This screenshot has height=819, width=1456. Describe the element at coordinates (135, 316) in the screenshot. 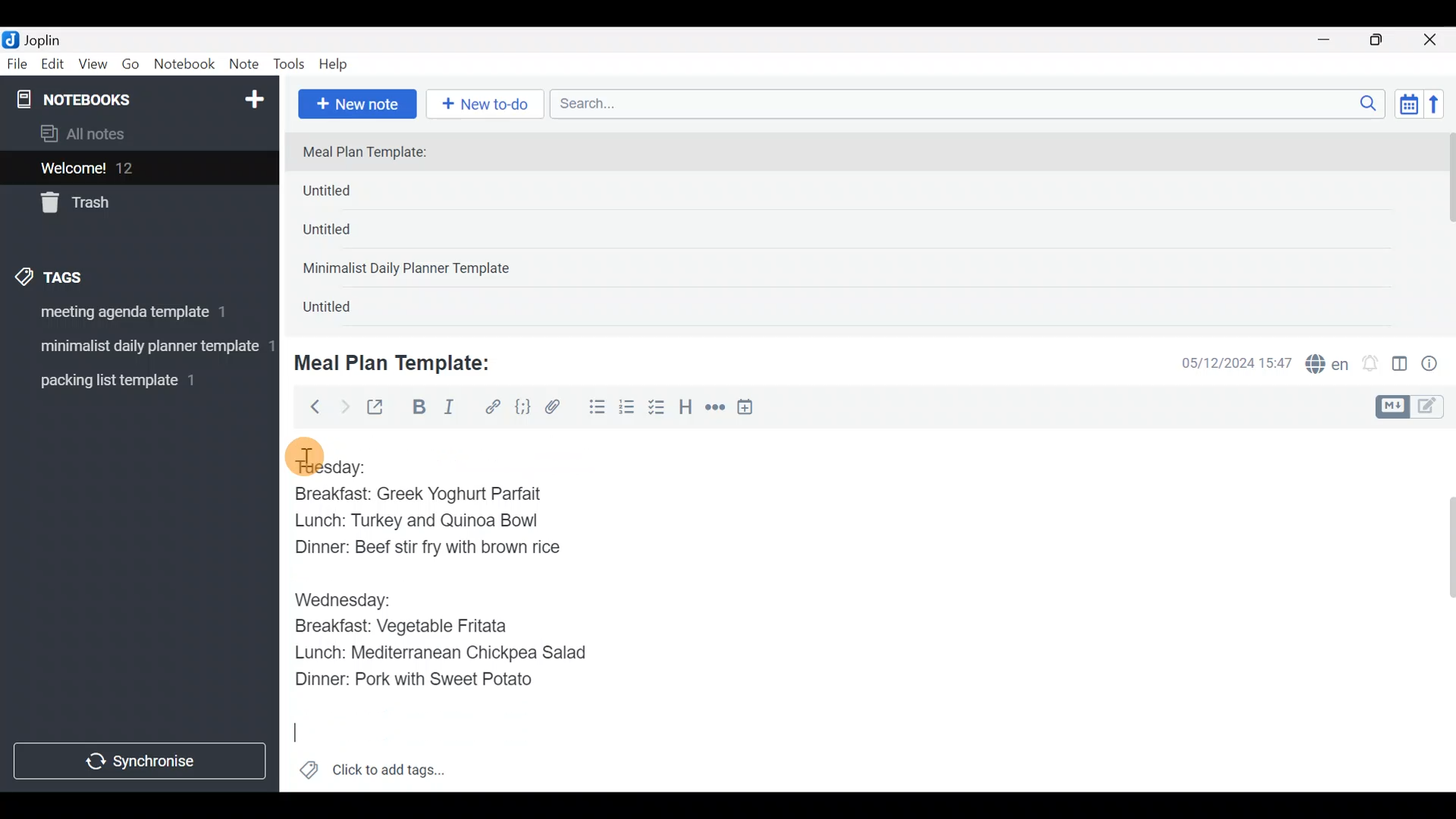

I see `Tag 1` at that location.